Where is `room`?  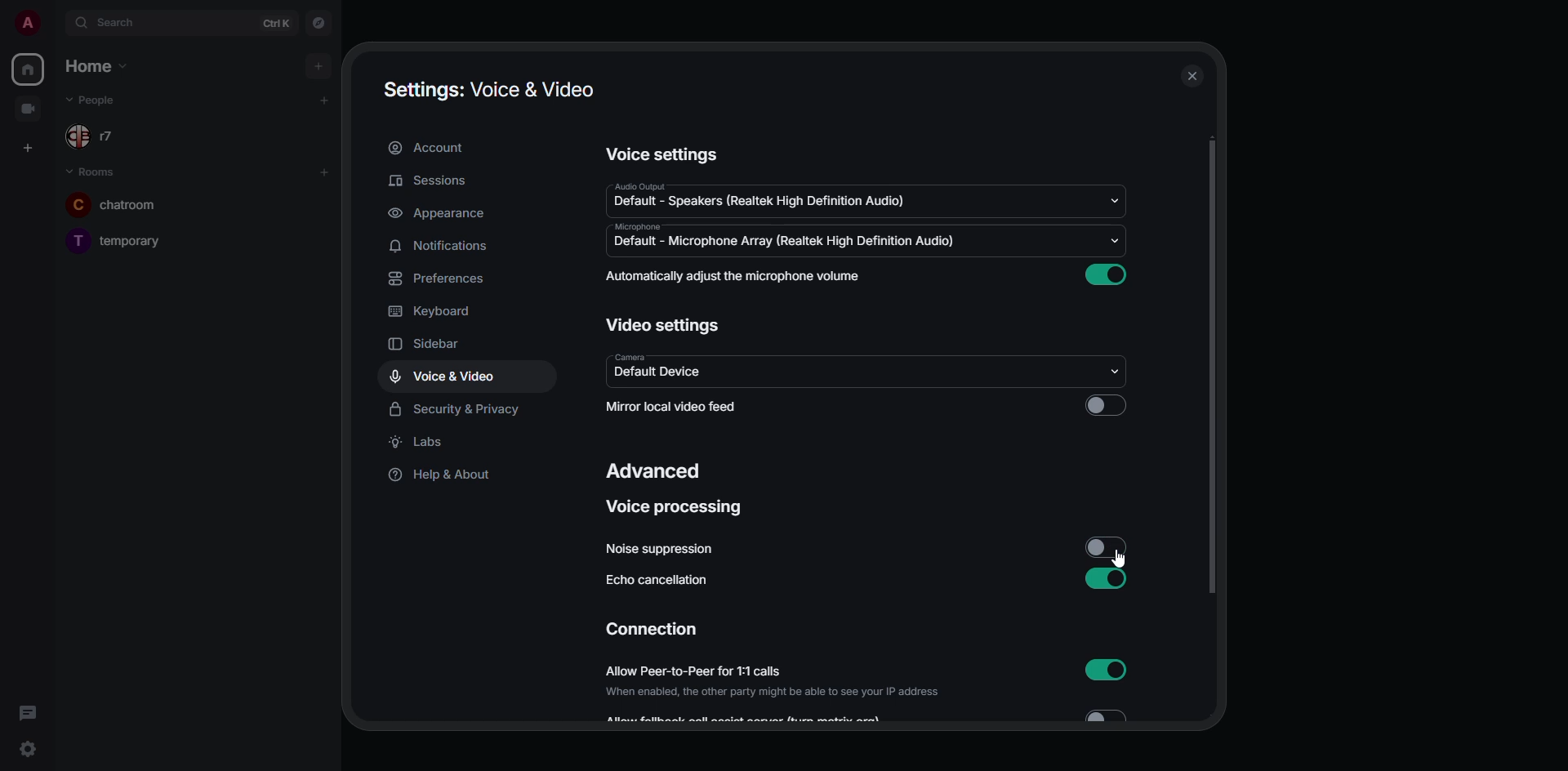 room is located at coordinates (120, 241).